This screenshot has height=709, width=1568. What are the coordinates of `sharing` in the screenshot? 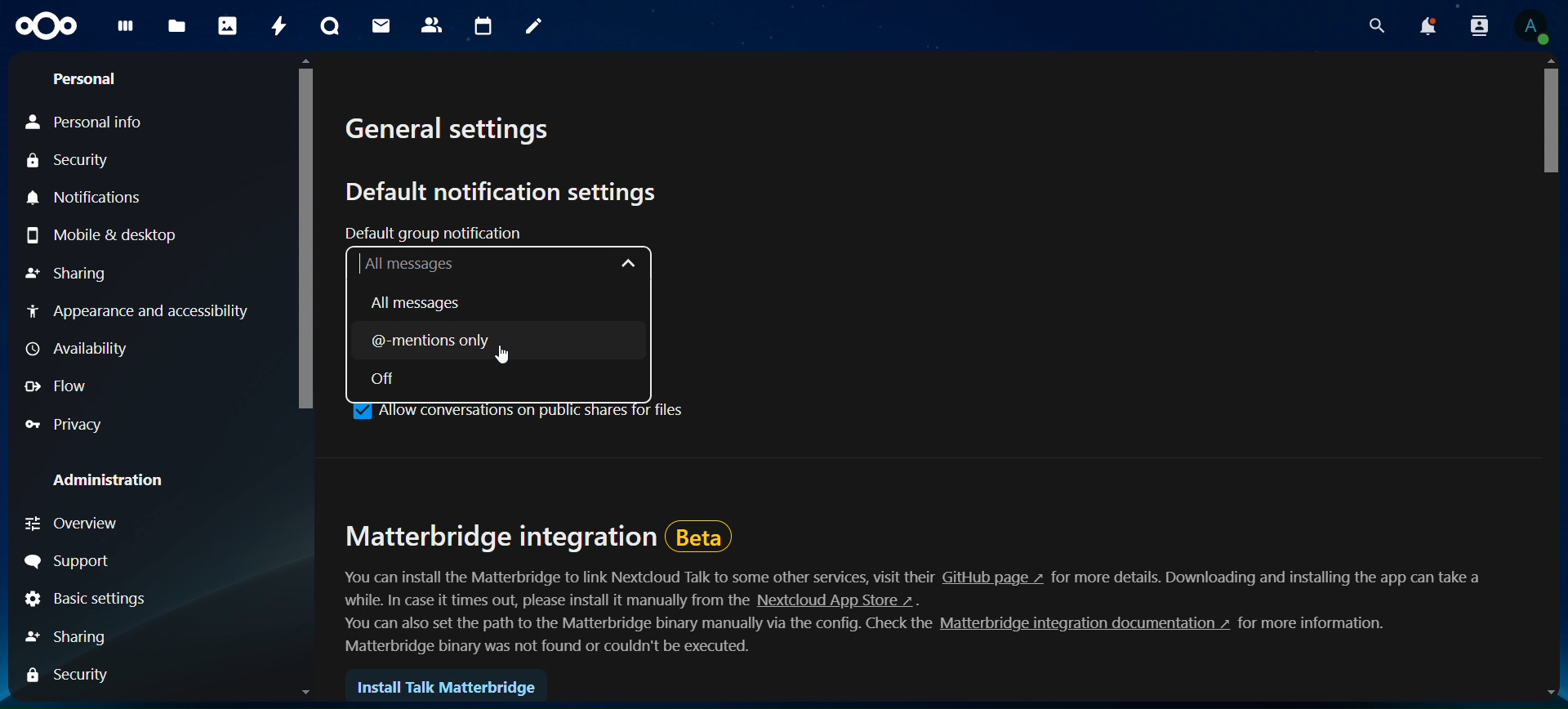 It's located at (75, 636).